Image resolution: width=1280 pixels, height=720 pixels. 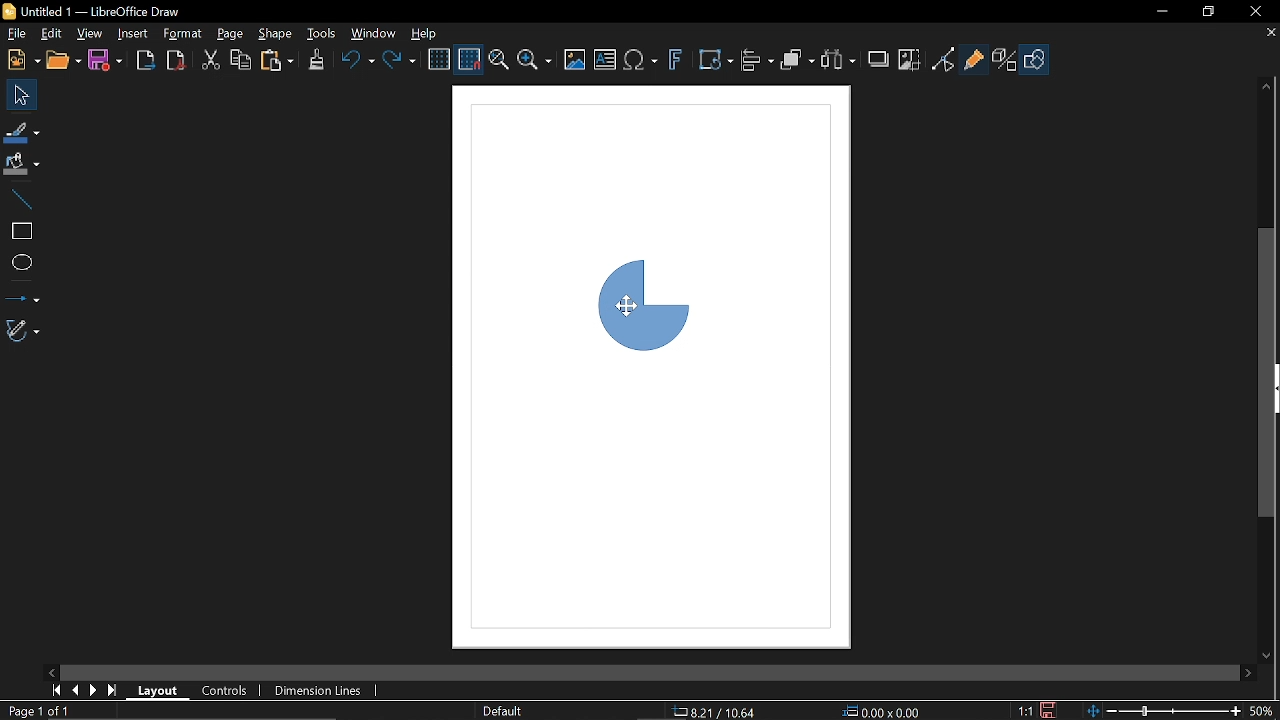 I want to click on New, so click(x=21, y=60).